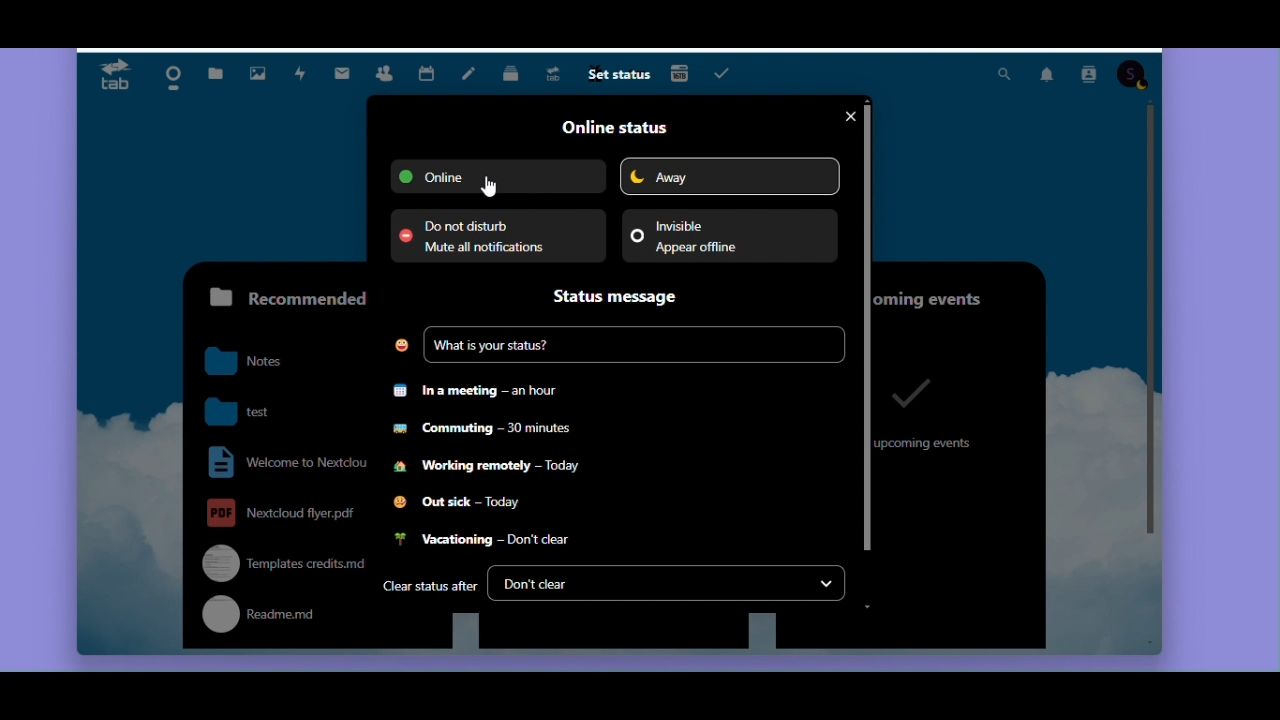 The image size is (1280, 720). What do you see at coordinates (283, 297) in the screenshot?
I see `Recommended files` at bounding box center [283, 297].